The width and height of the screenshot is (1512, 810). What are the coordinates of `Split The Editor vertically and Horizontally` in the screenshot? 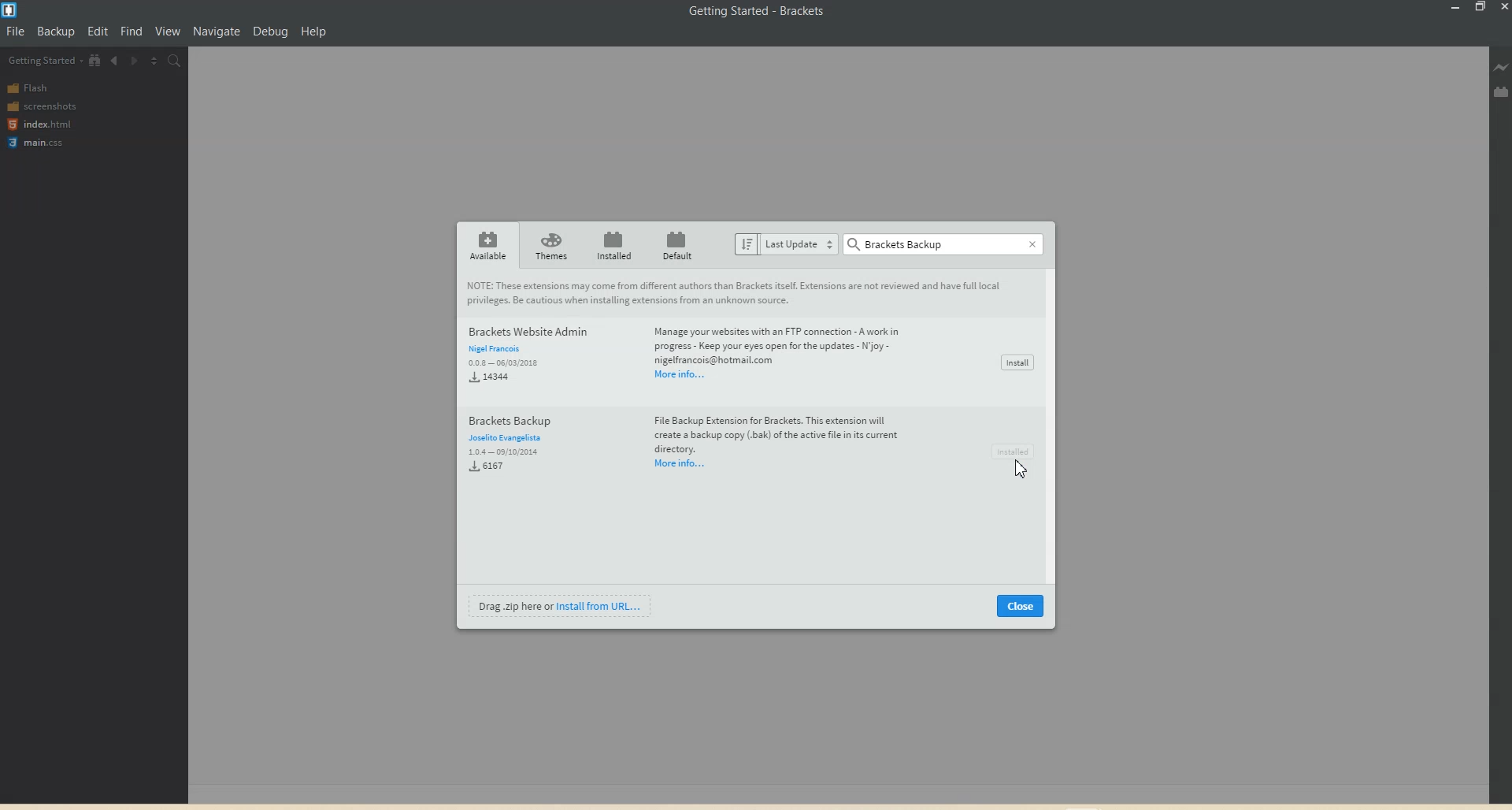 It's located at (154, 61).